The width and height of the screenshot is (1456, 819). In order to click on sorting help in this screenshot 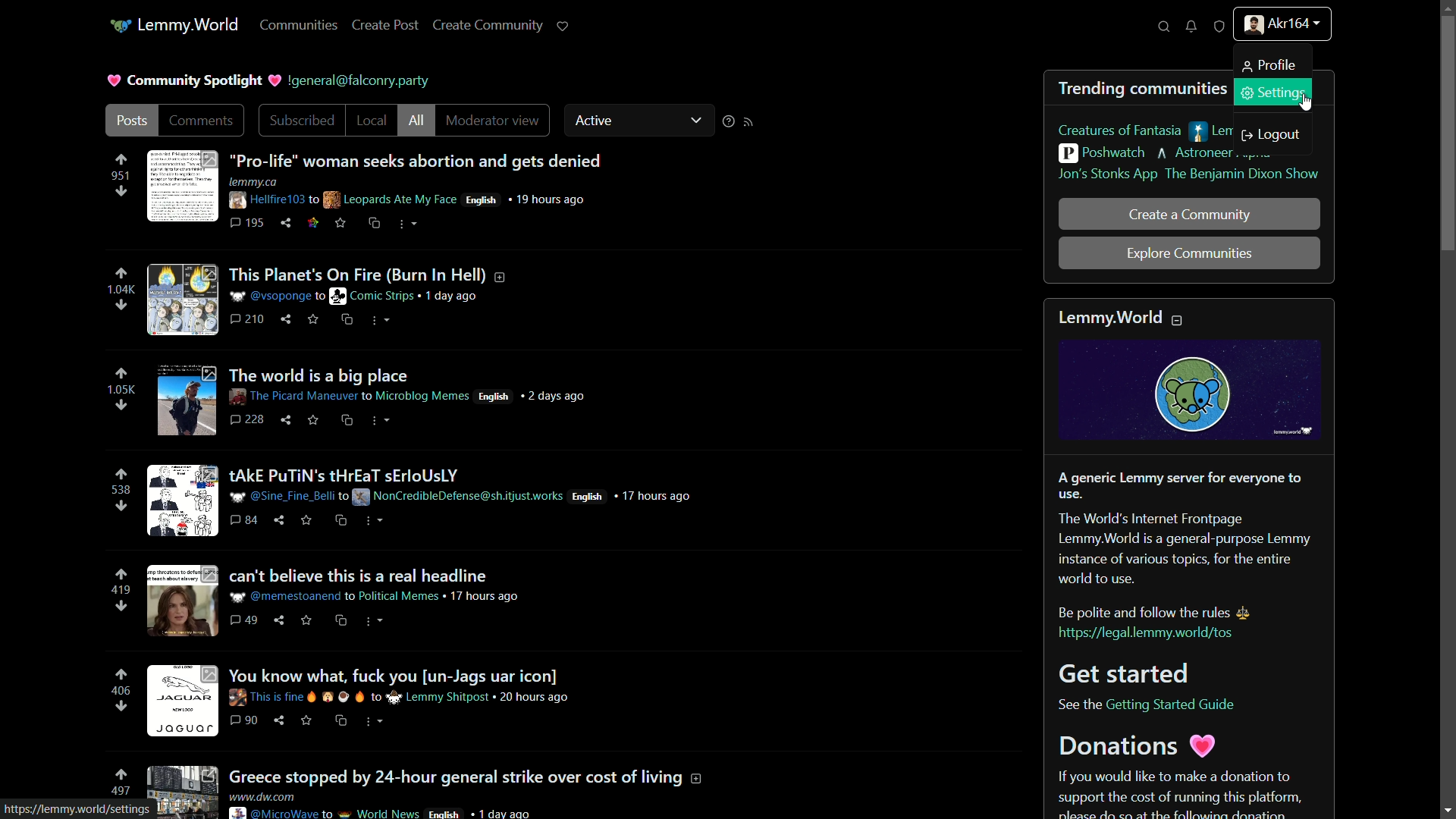, I will do `click(726, 121)`.